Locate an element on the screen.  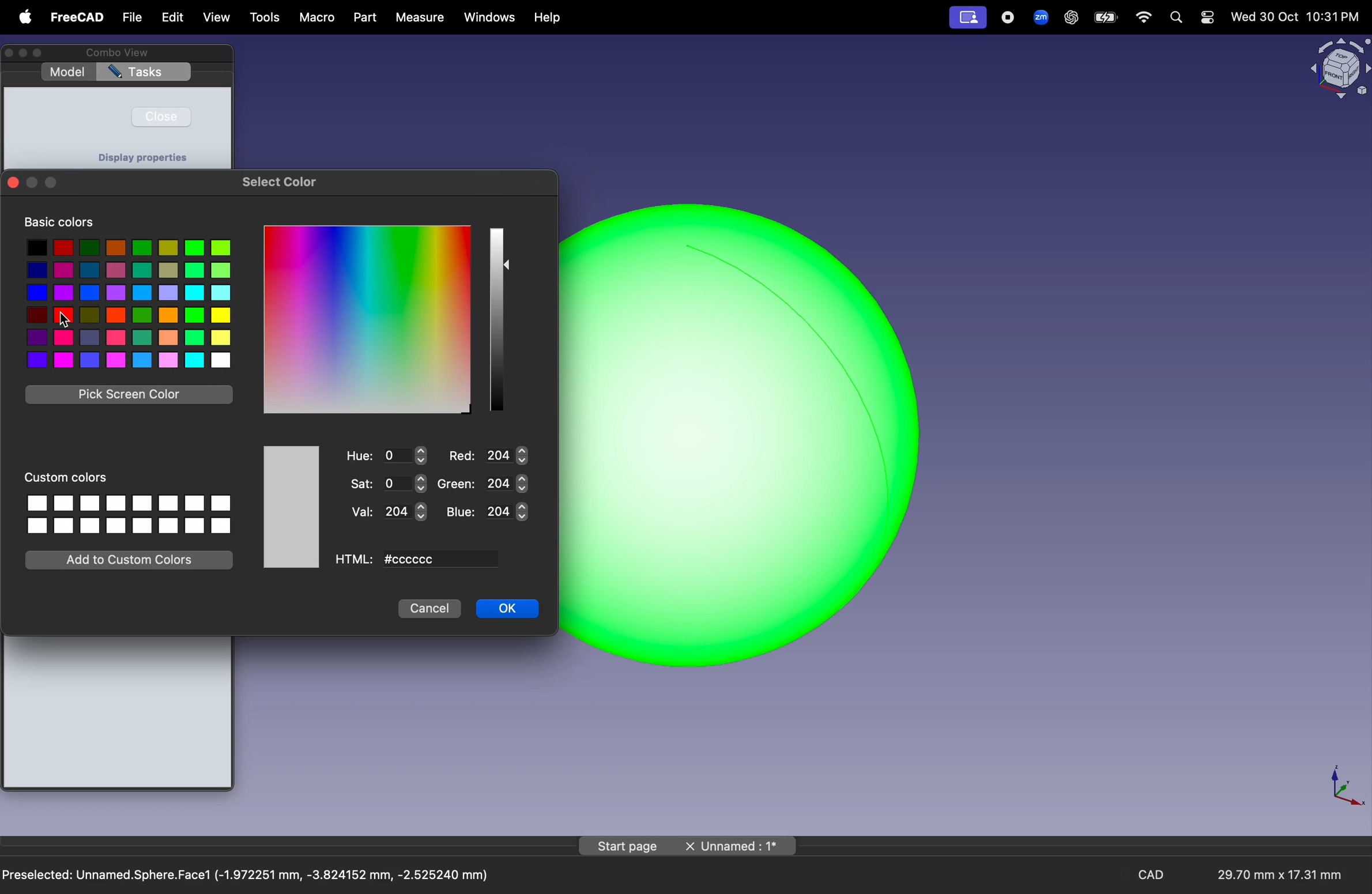
close is located at coordinates (161, 116).